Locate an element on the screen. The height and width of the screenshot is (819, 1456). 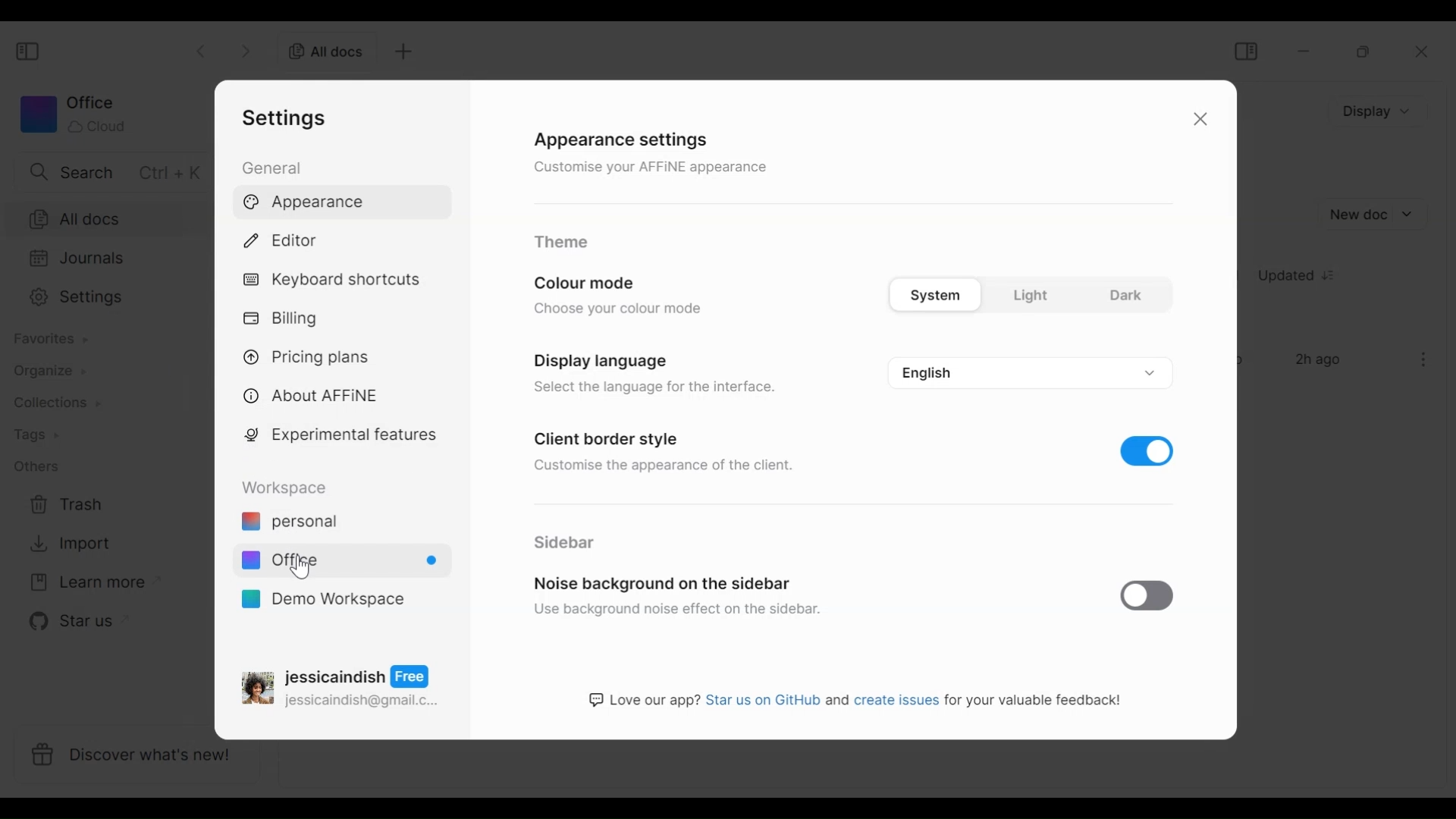
Trash is located at coordinates (67, 505).